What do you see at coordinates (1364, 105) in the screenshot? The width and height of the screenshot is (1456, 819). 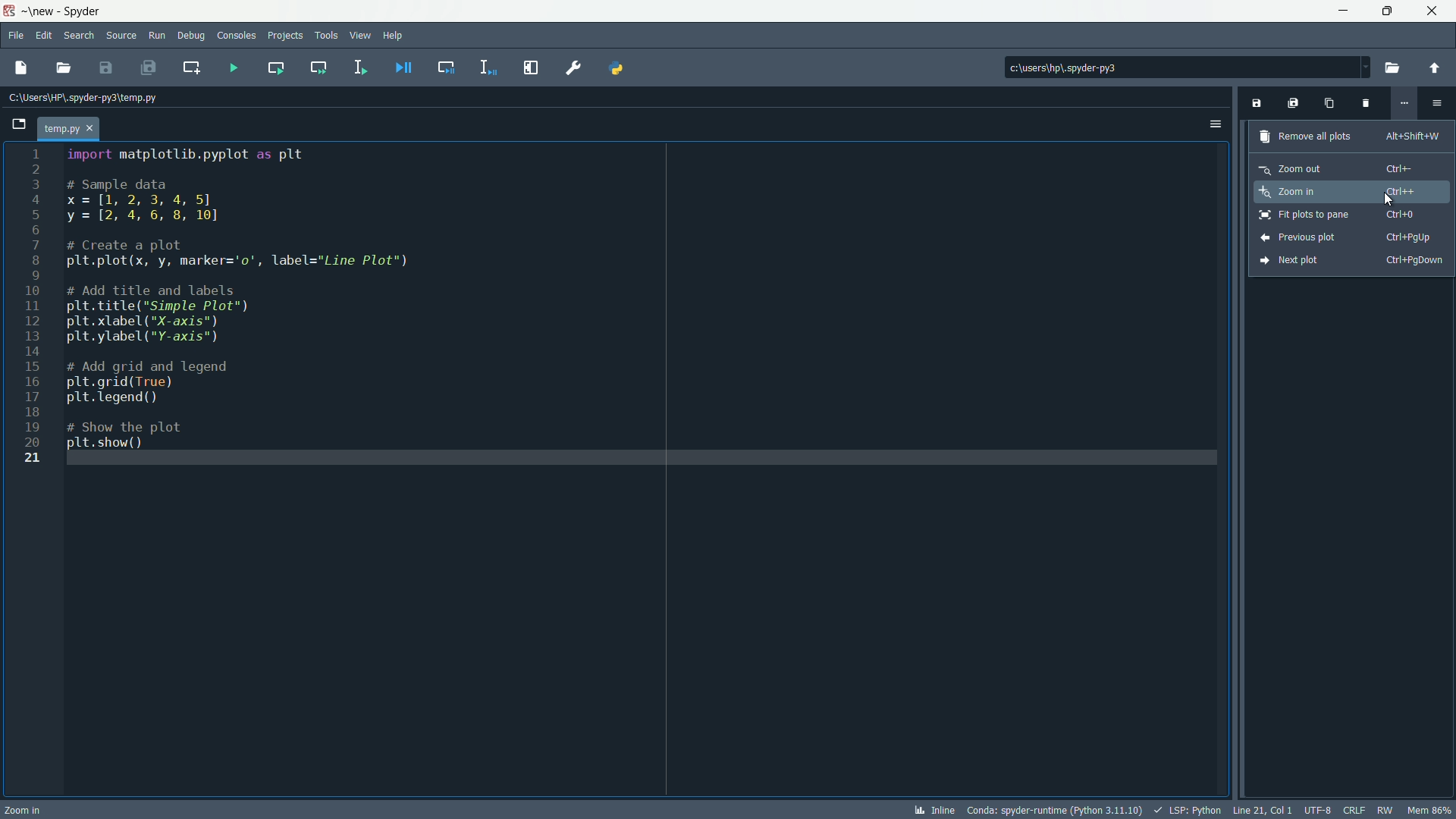 I see `remove plot` at bounding box center [1364, 105].